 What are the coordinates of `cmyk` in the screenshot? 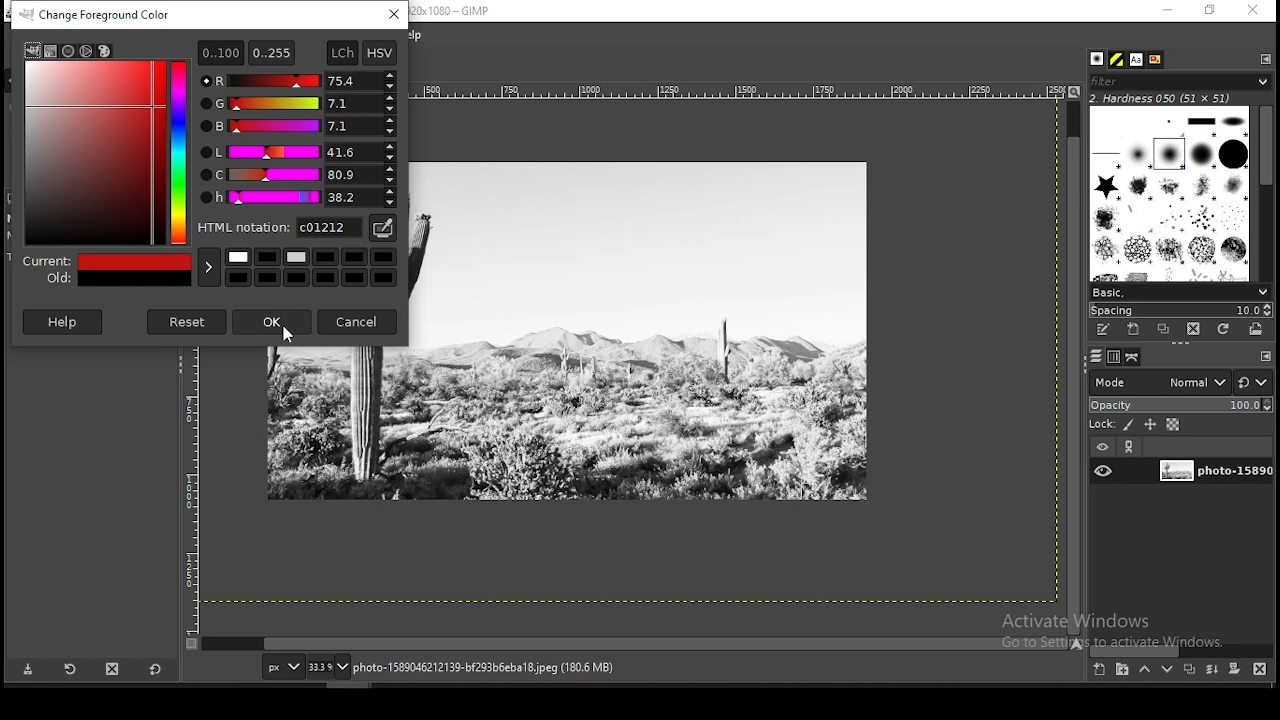 It's located at (68, 52).